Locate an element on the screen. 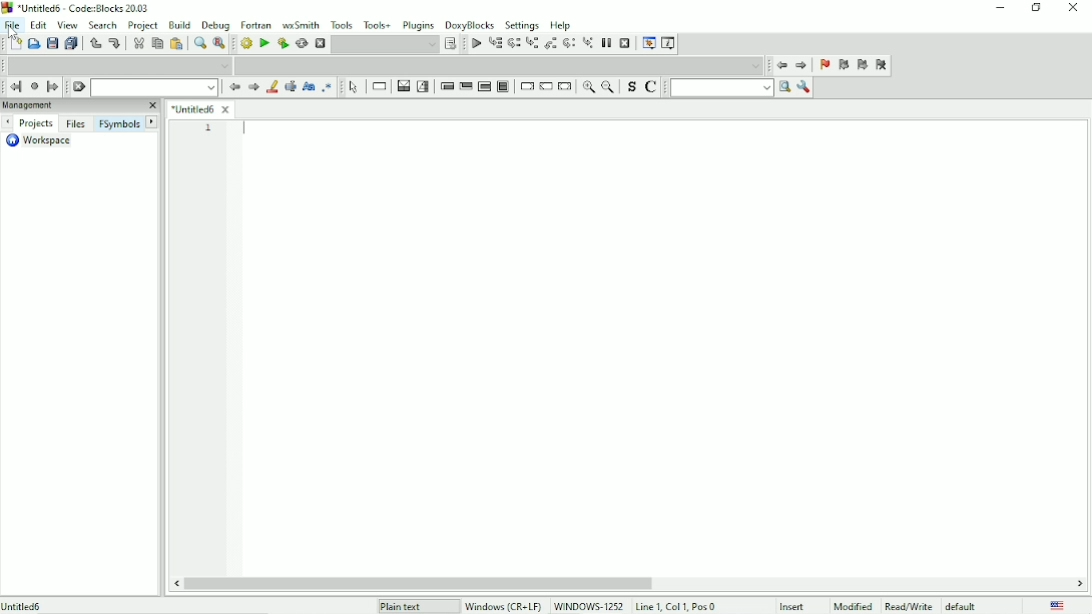 The height and width of the screenshot is (614, 1092). Debugging windows is located at coordinates (649, 43).